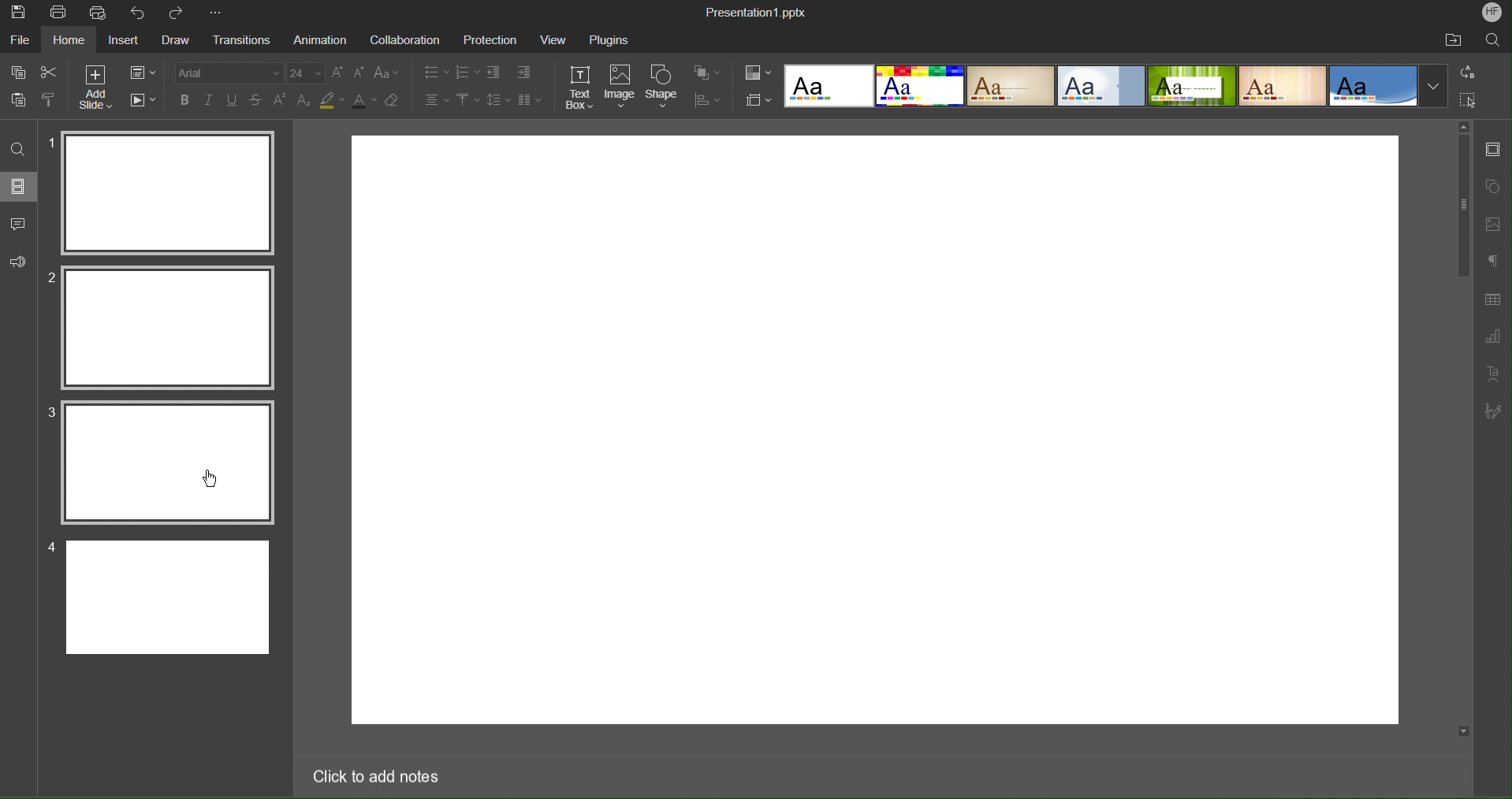  I want to click on Selected Slide, so click(168, 328).